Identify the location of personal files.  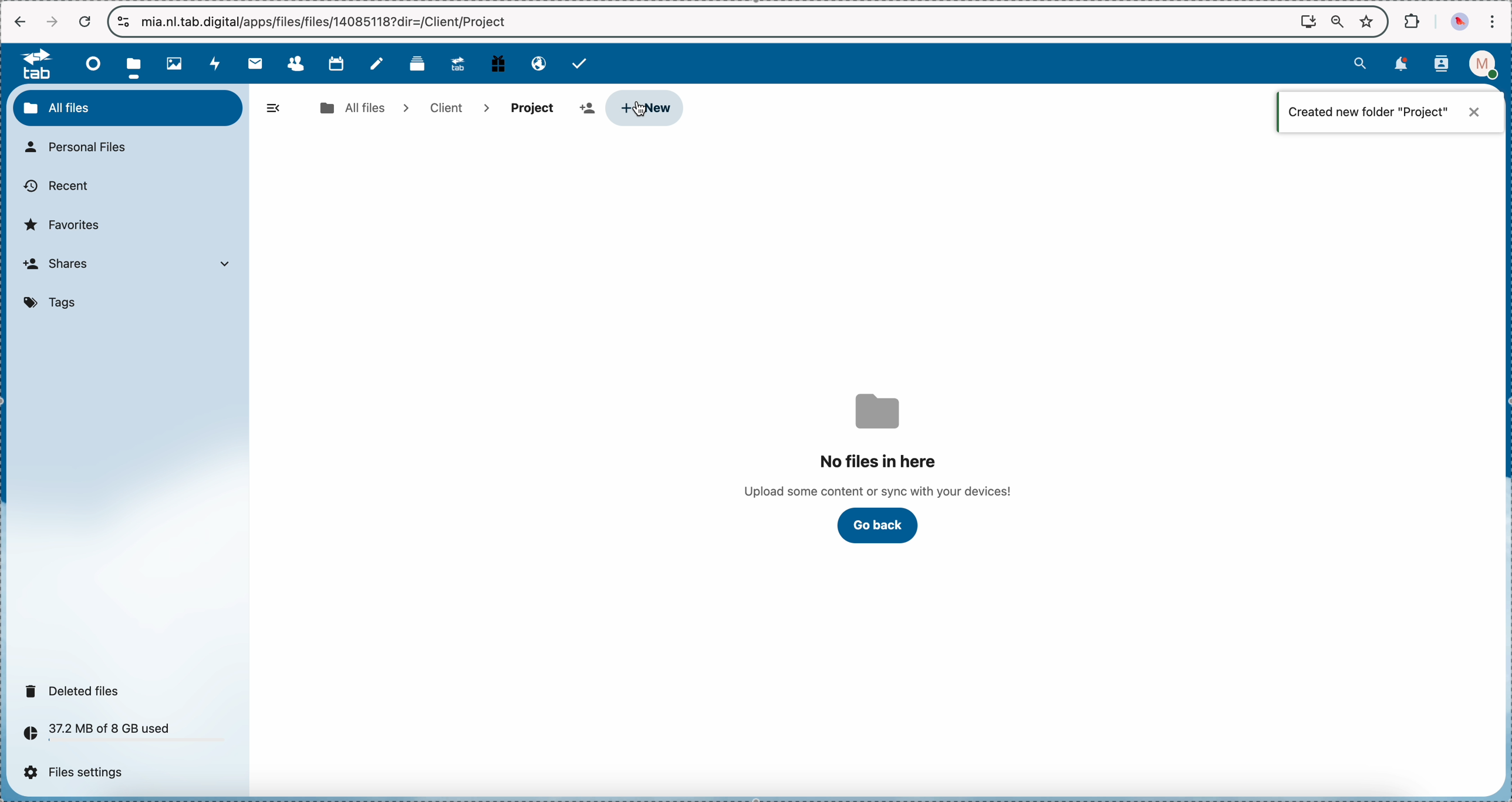
(82, 148).